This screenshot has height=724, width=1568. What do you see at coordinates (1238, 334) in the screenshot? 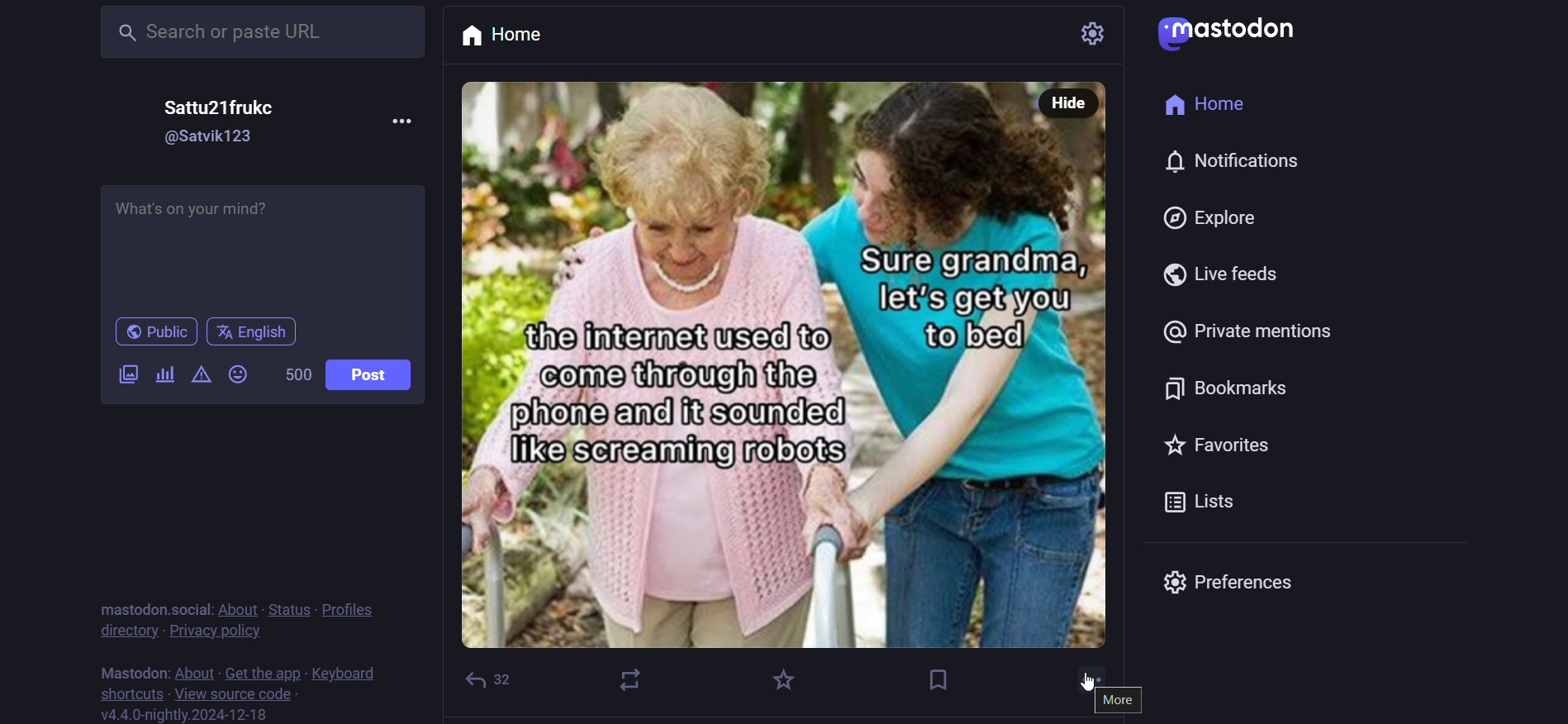
I see `private mention` at bounding box center [1238, 334].